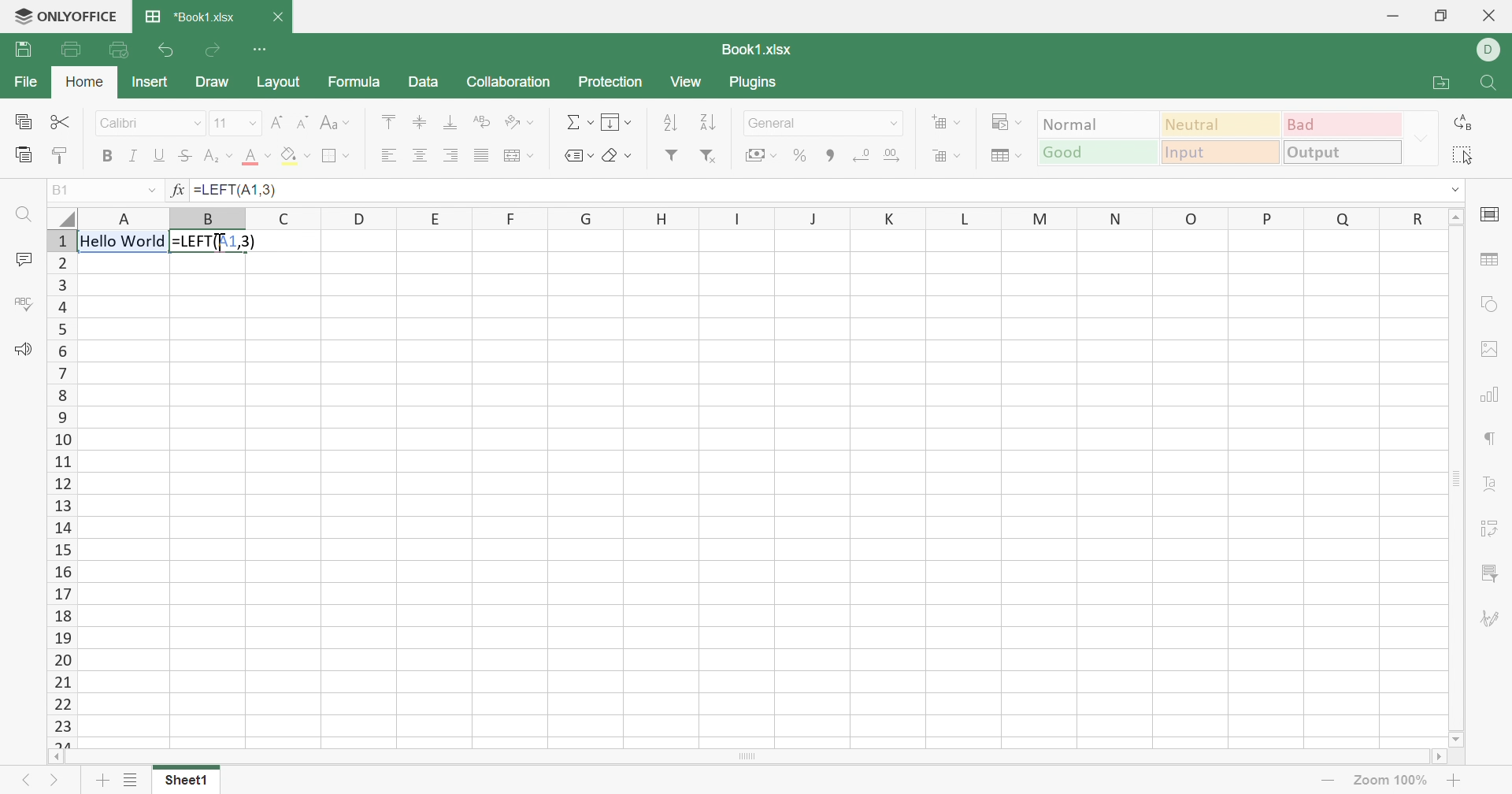  I want to click on Output, so click(1343, 151).